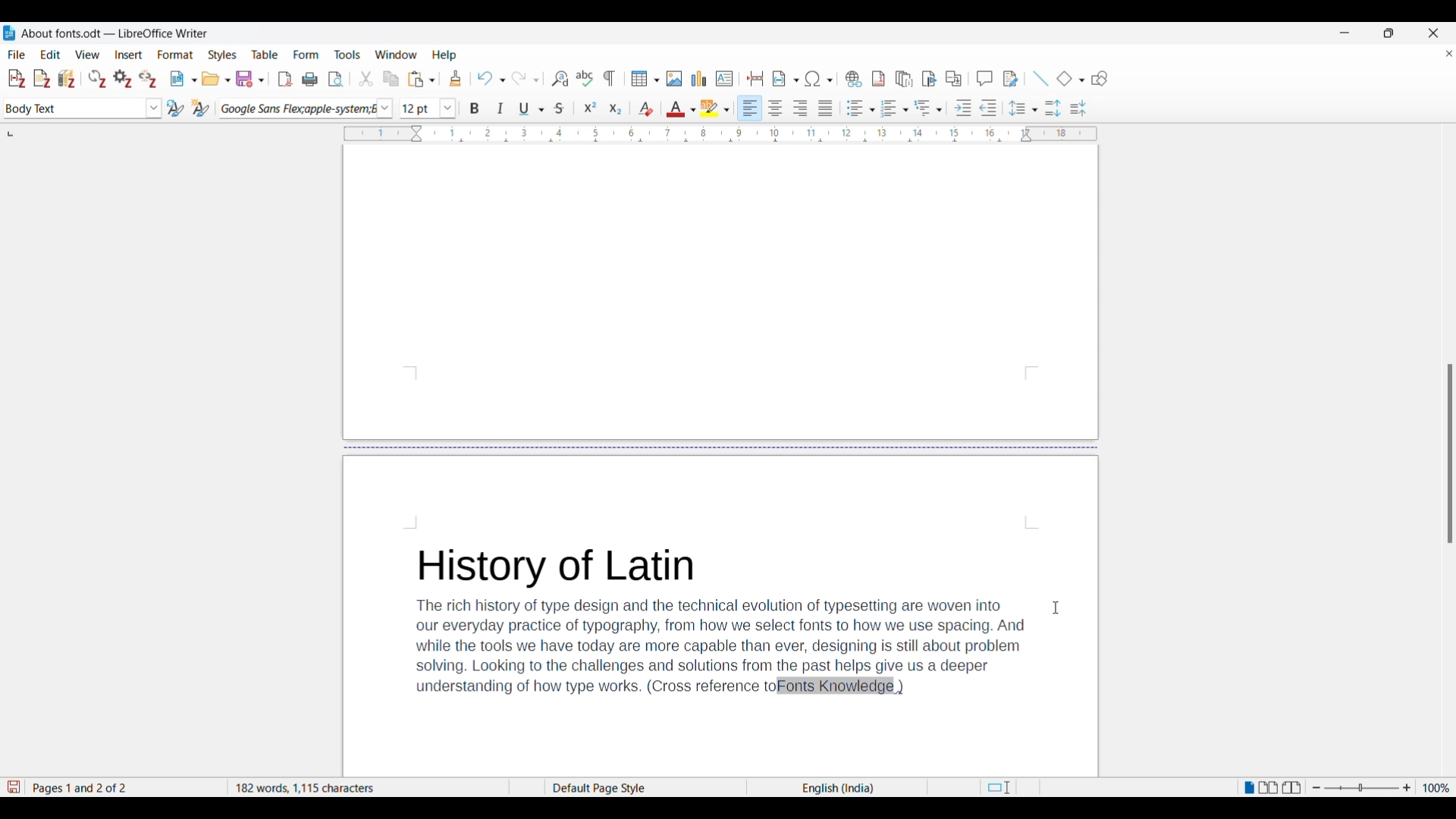  What do you see at coordinates (894, 108) in the screenshot?
I see `Toggle ordered list` at bounding box center [894, 108].